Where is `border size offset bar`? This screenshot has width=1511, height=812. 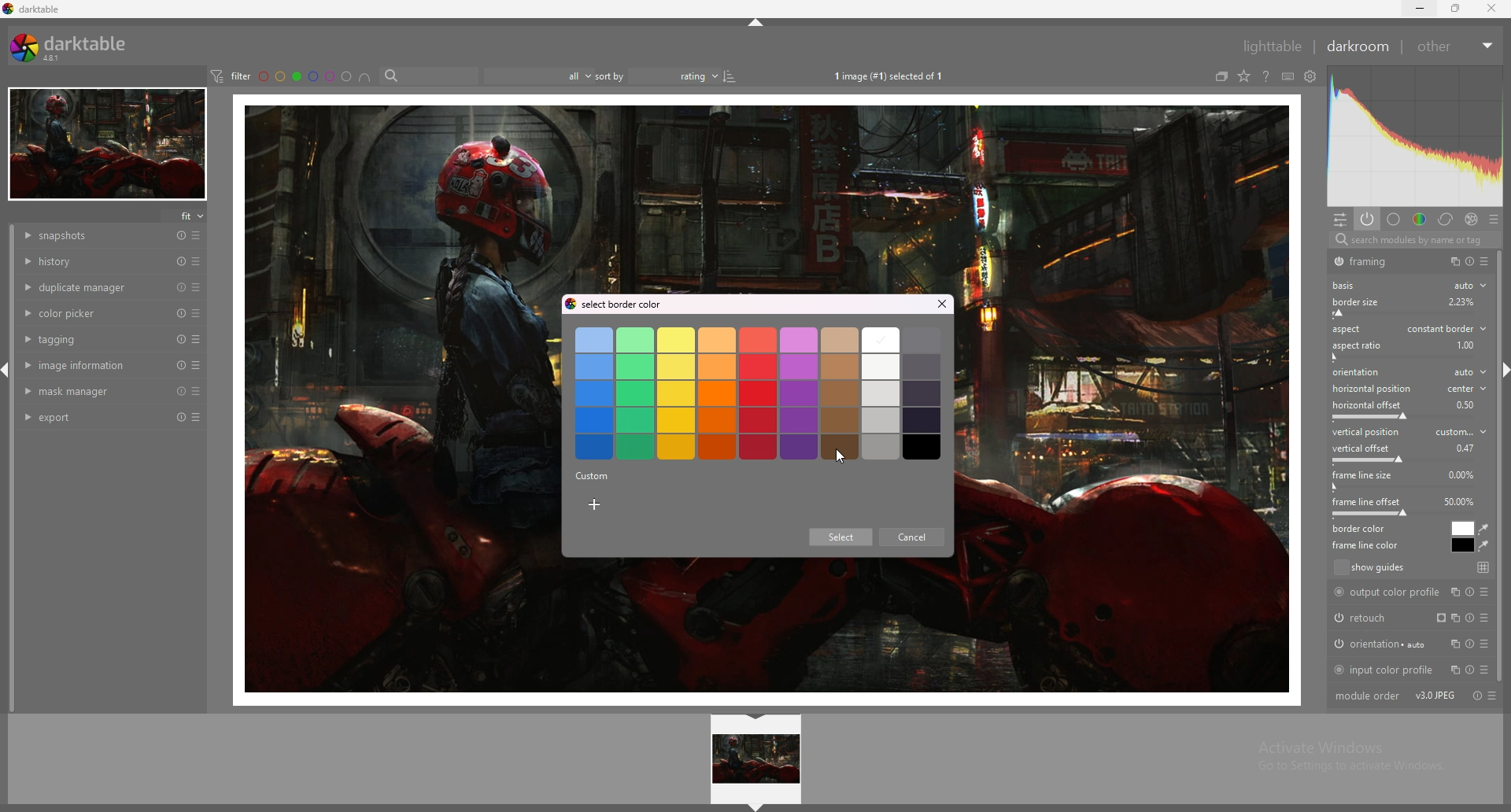
border size offset bar is located at coordinates (1406, 316).